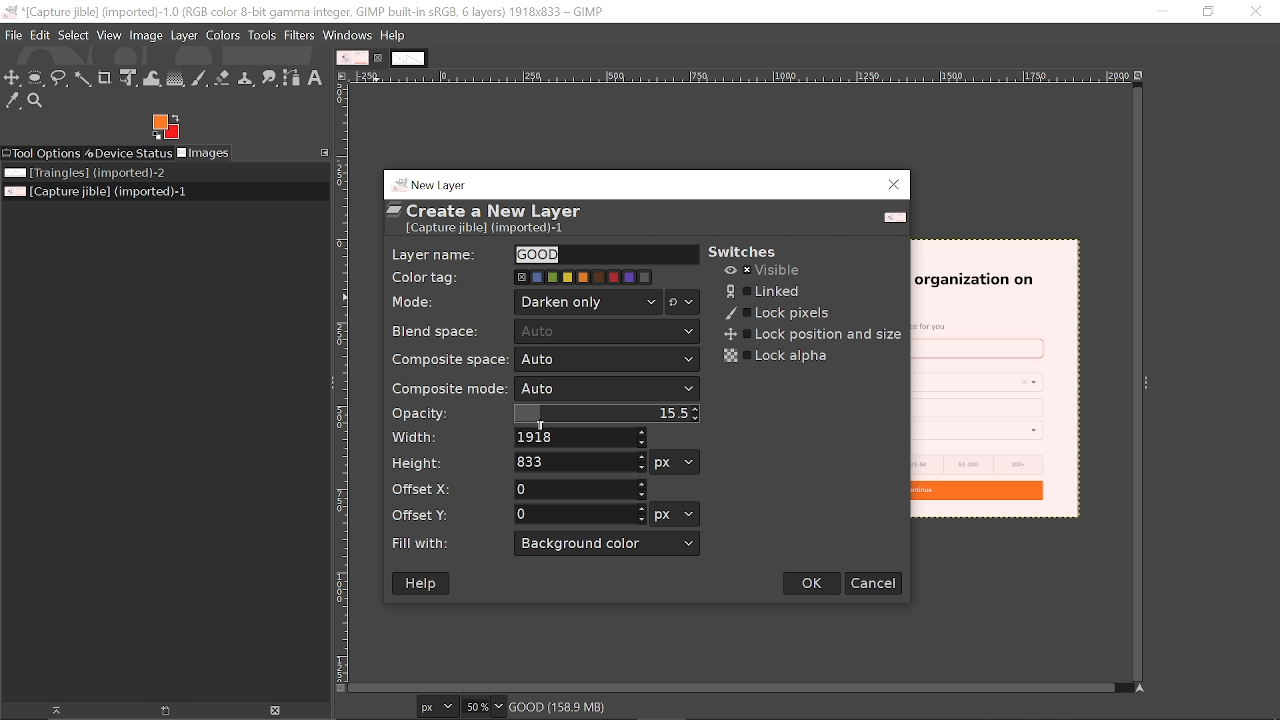  Describe the element at coordinates (582, 438) in the screenshot. I see `Width` at that location.